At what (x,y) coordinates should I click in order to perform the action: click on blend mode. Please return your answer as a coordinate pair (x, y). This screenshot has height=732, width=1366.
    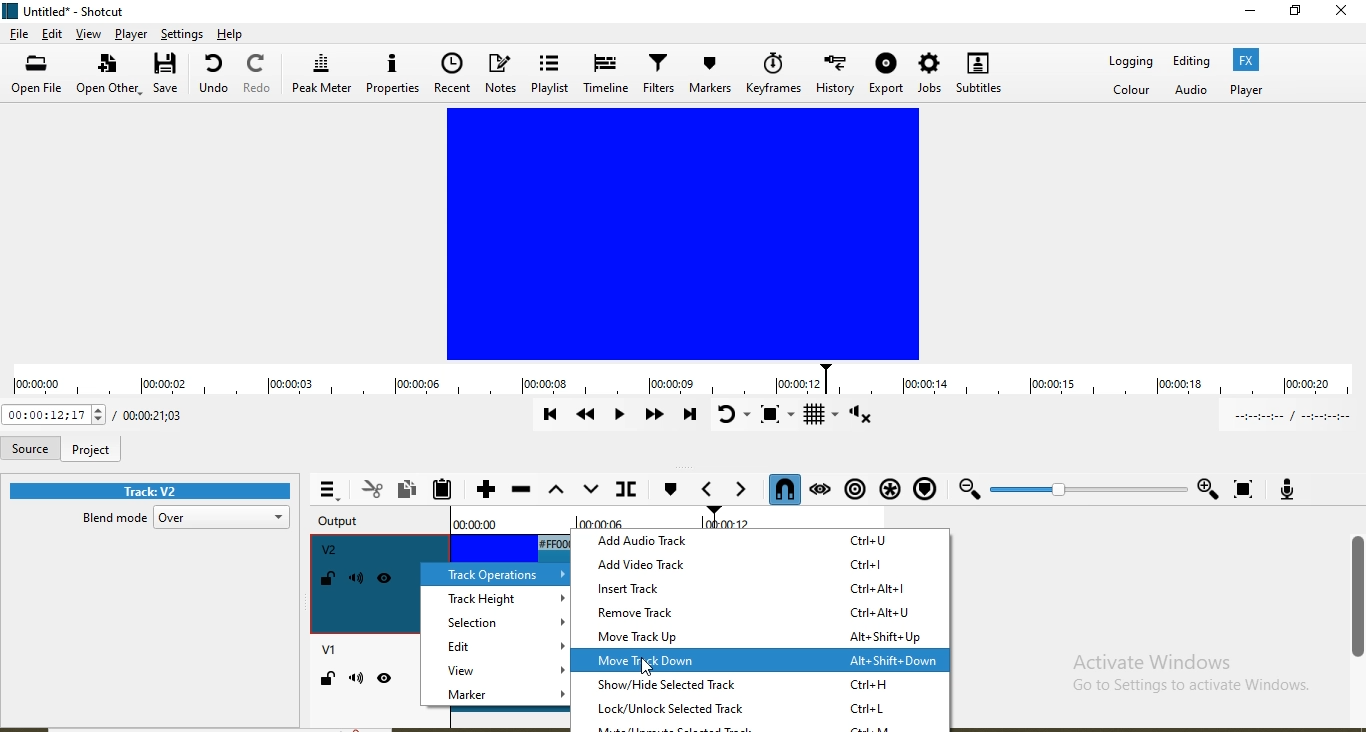
    Looking at the image, I should click on (109, 521).